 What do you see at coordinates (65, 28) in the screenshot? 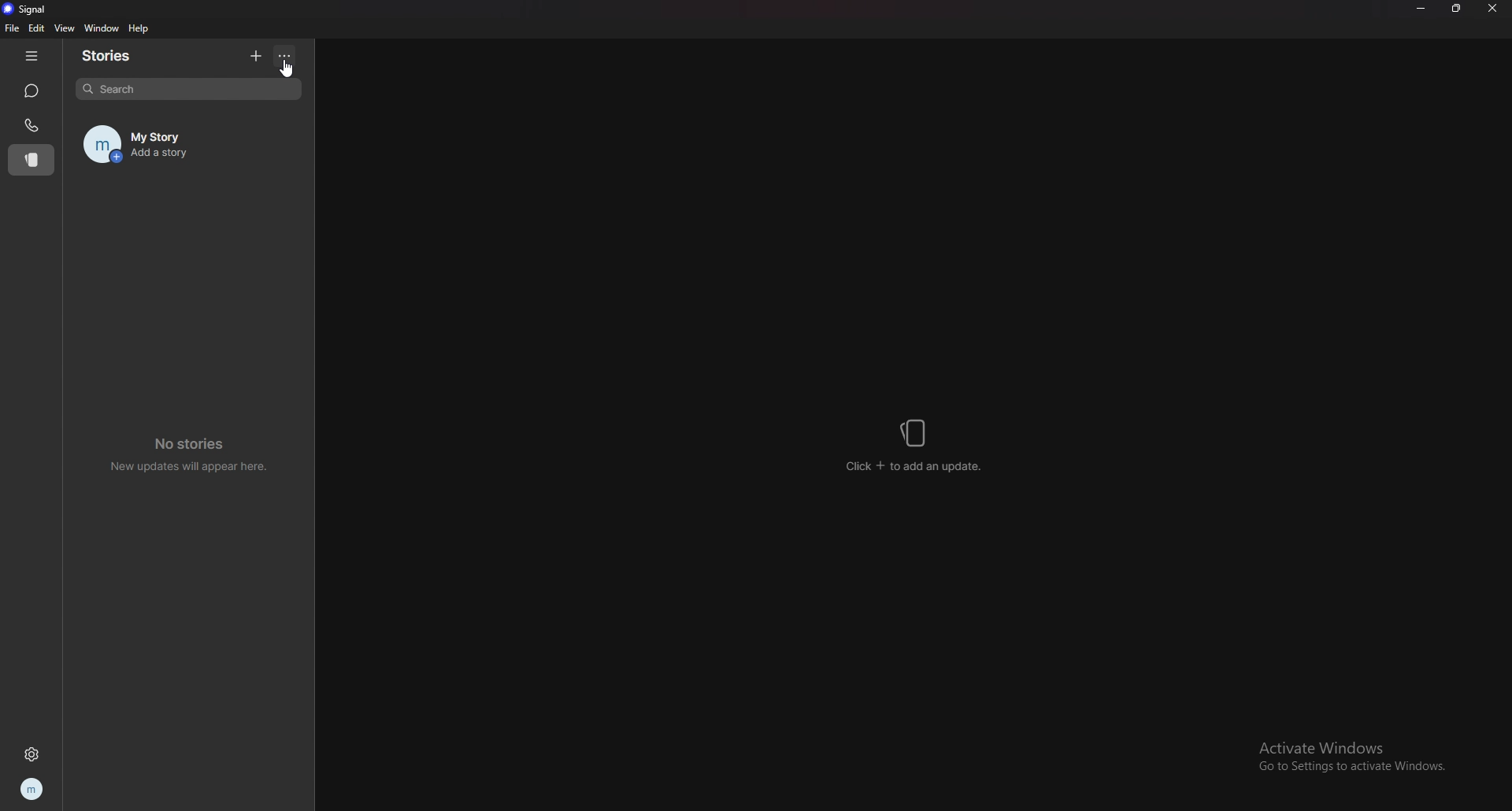
I see `view` at bounding box center [65, 28].